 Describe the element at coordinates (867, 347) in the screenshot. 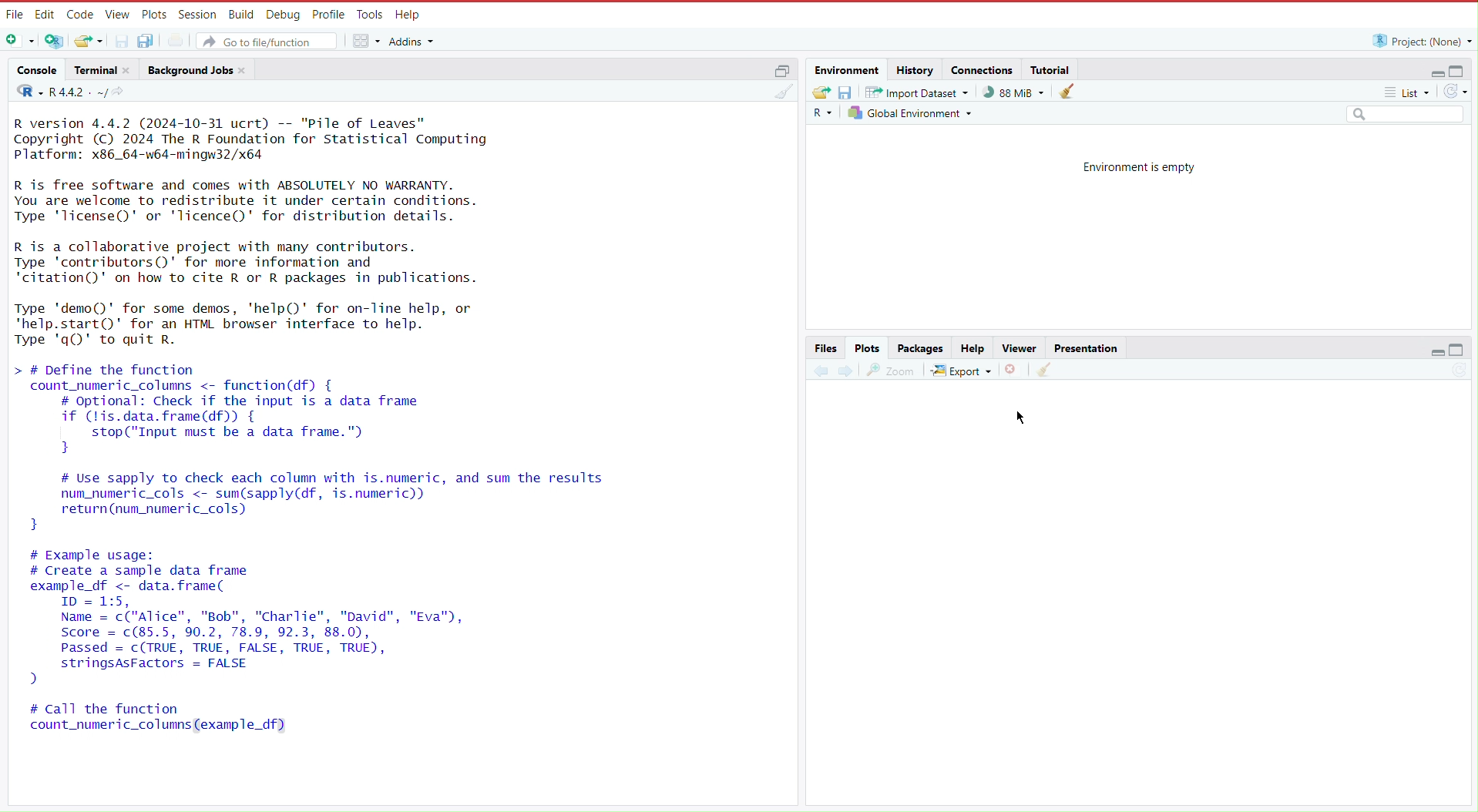

I see `s Plots` at that location.